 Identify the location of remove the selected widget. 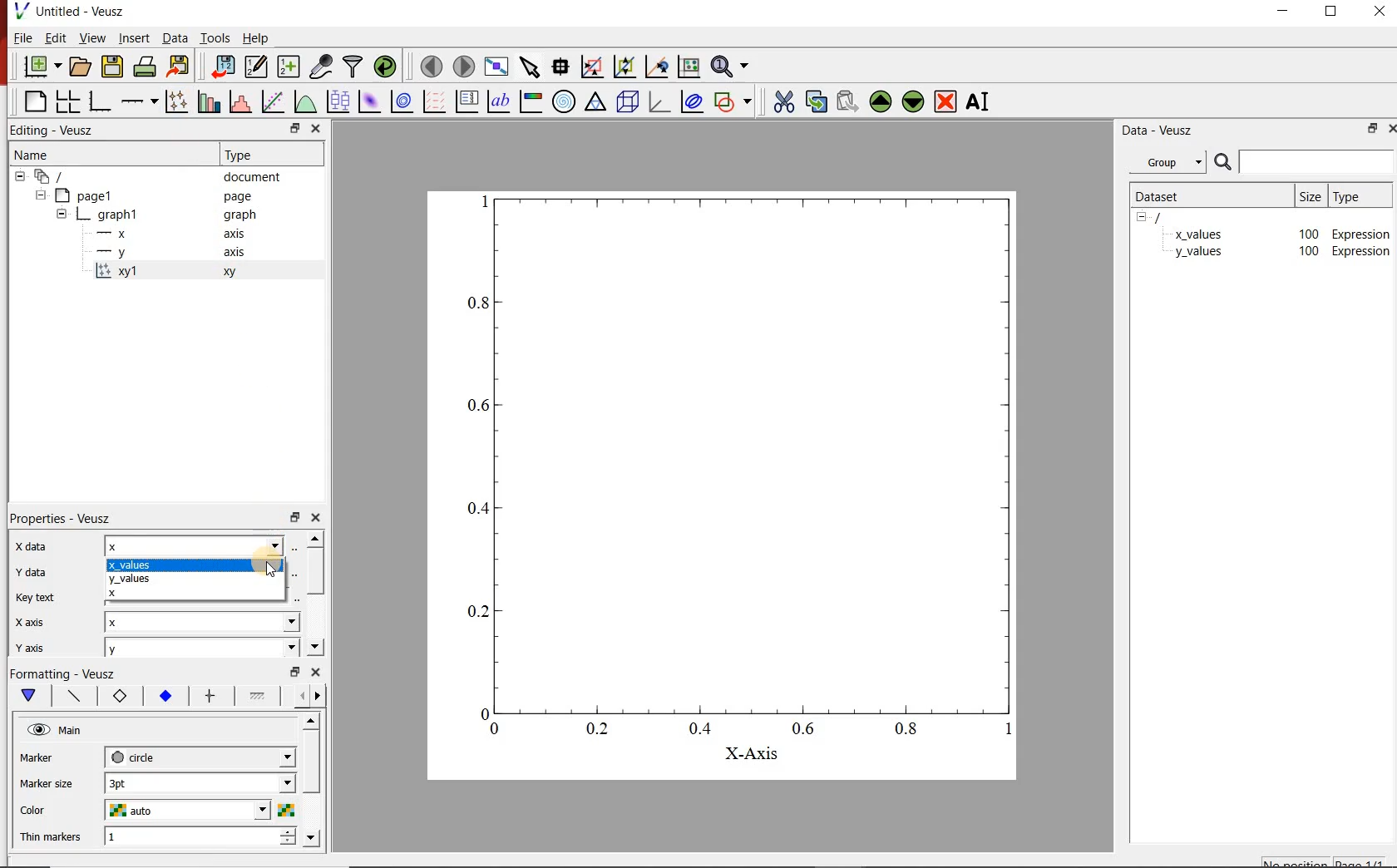
(945, 104).